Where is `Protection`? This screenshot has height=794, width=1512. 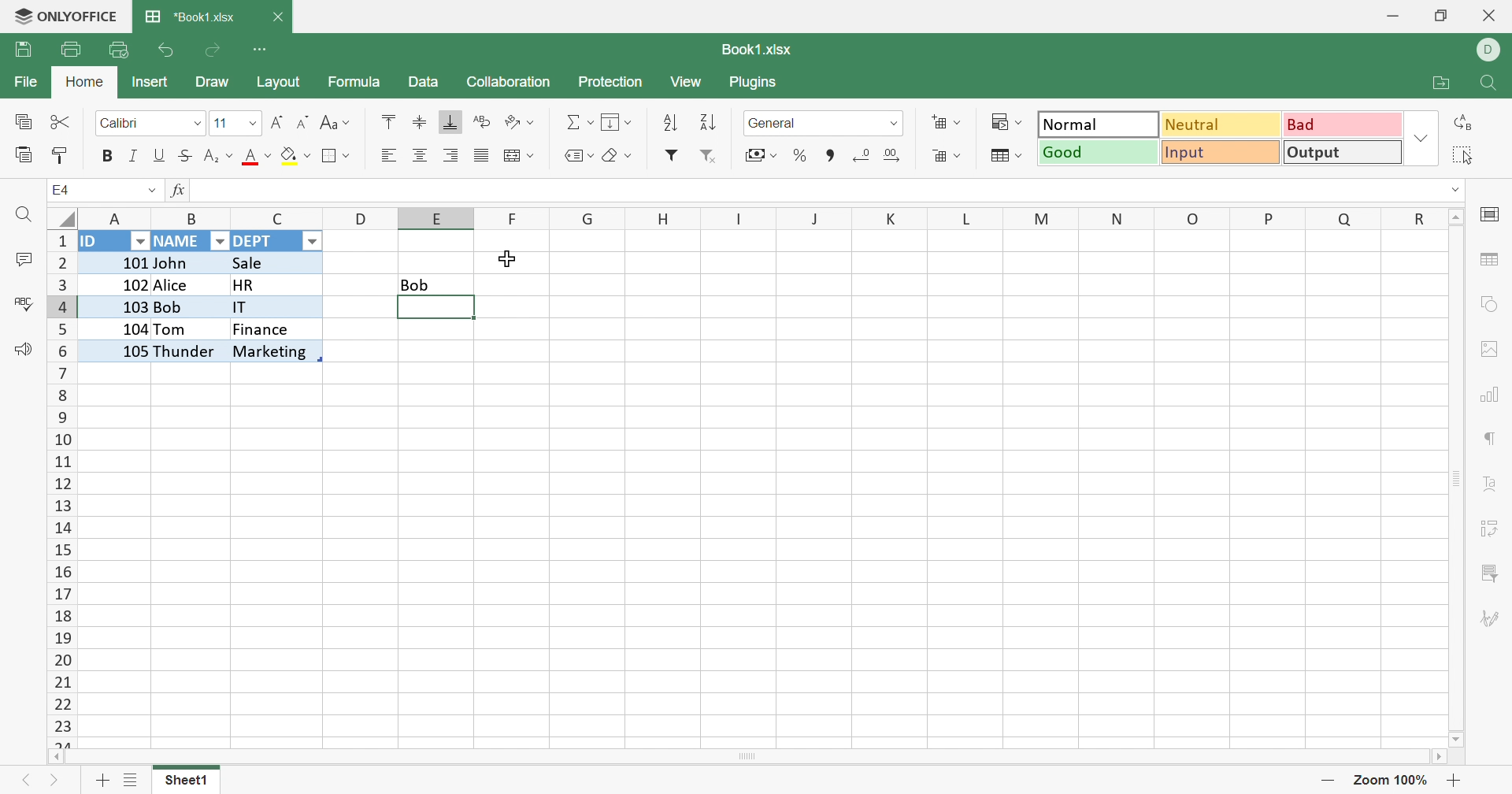
Protection is located at coordinates (613, 79).